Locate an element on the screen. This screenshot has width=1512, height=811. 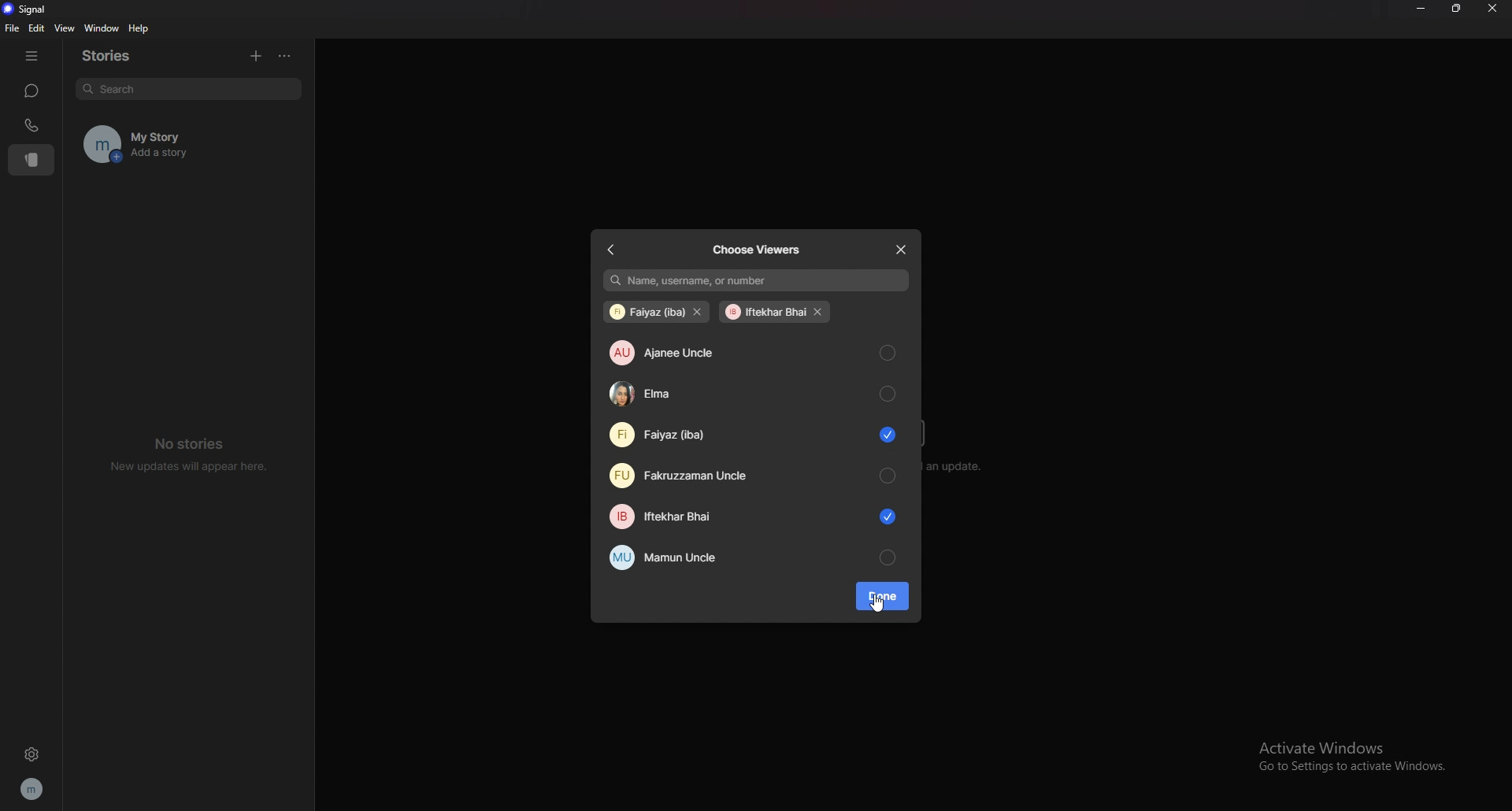
remove contact is located at coordinates (818, 310).